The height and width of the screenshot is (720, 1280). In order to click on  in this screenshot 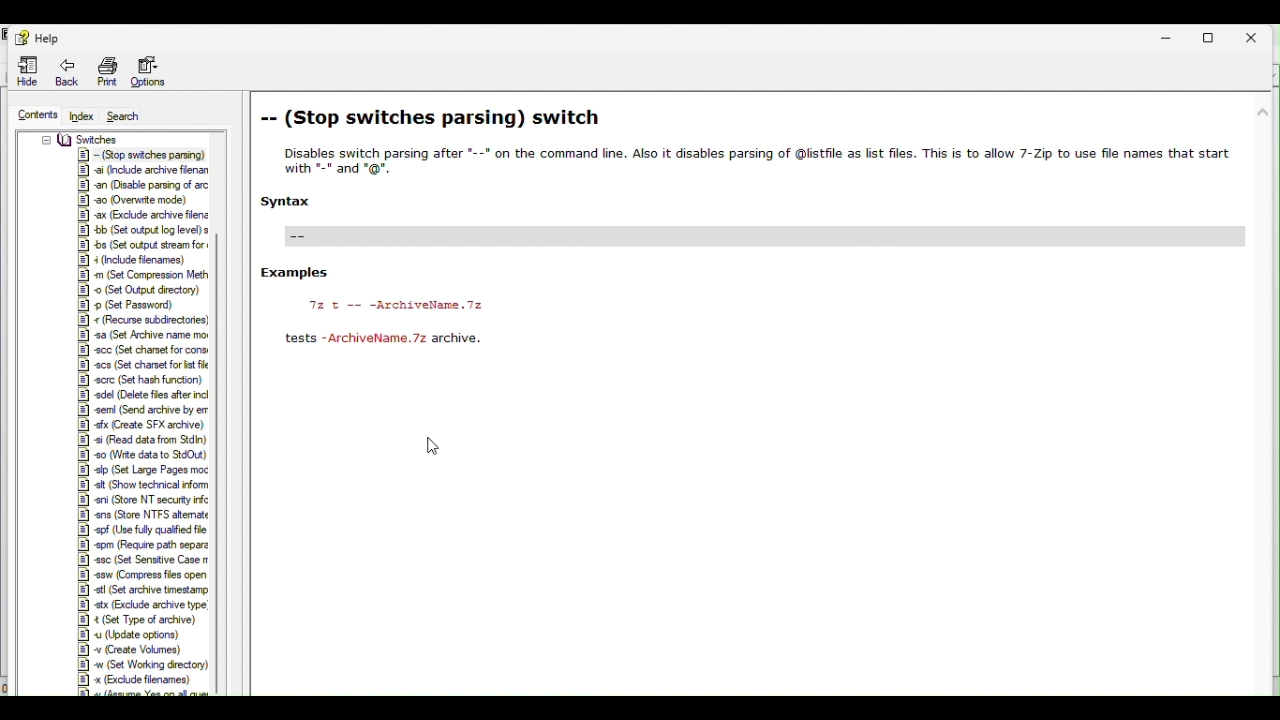, I will do `click(146, 499)`.